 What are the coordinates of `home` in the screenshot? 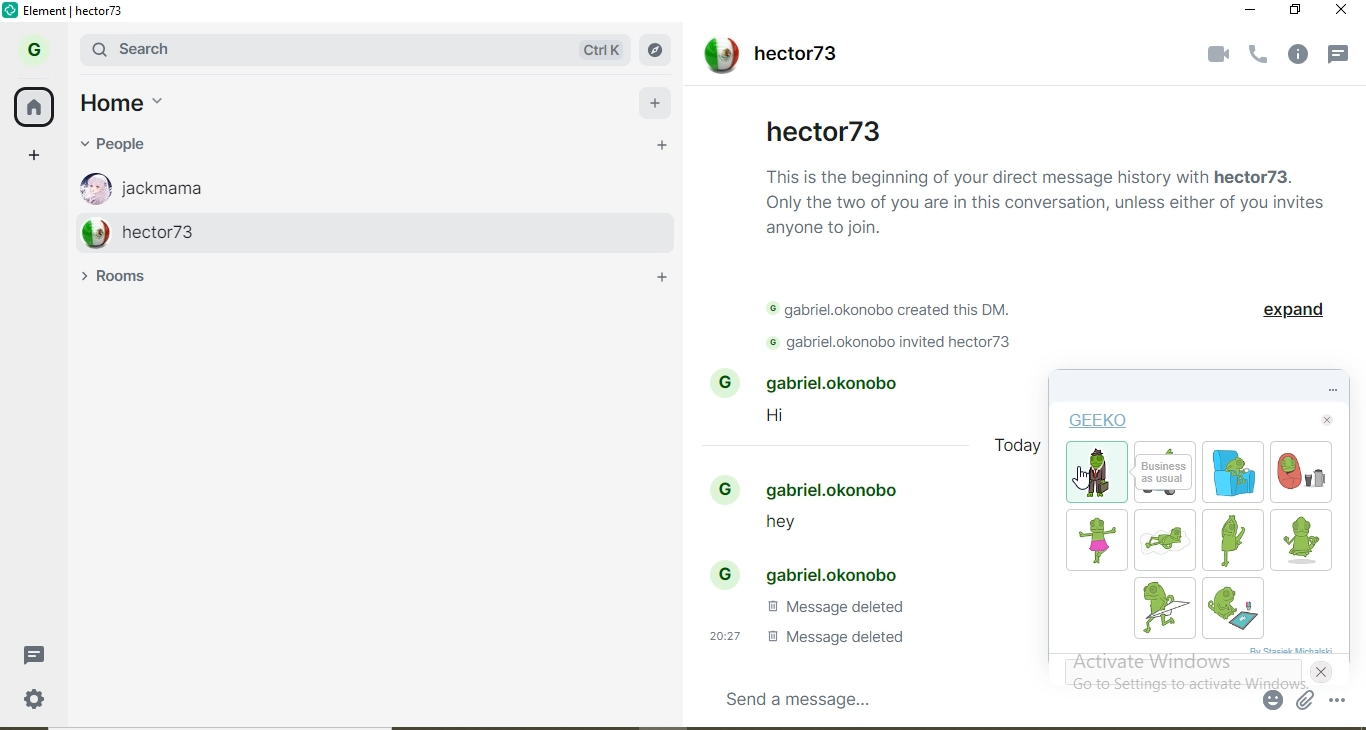 It's located at (35, 104).